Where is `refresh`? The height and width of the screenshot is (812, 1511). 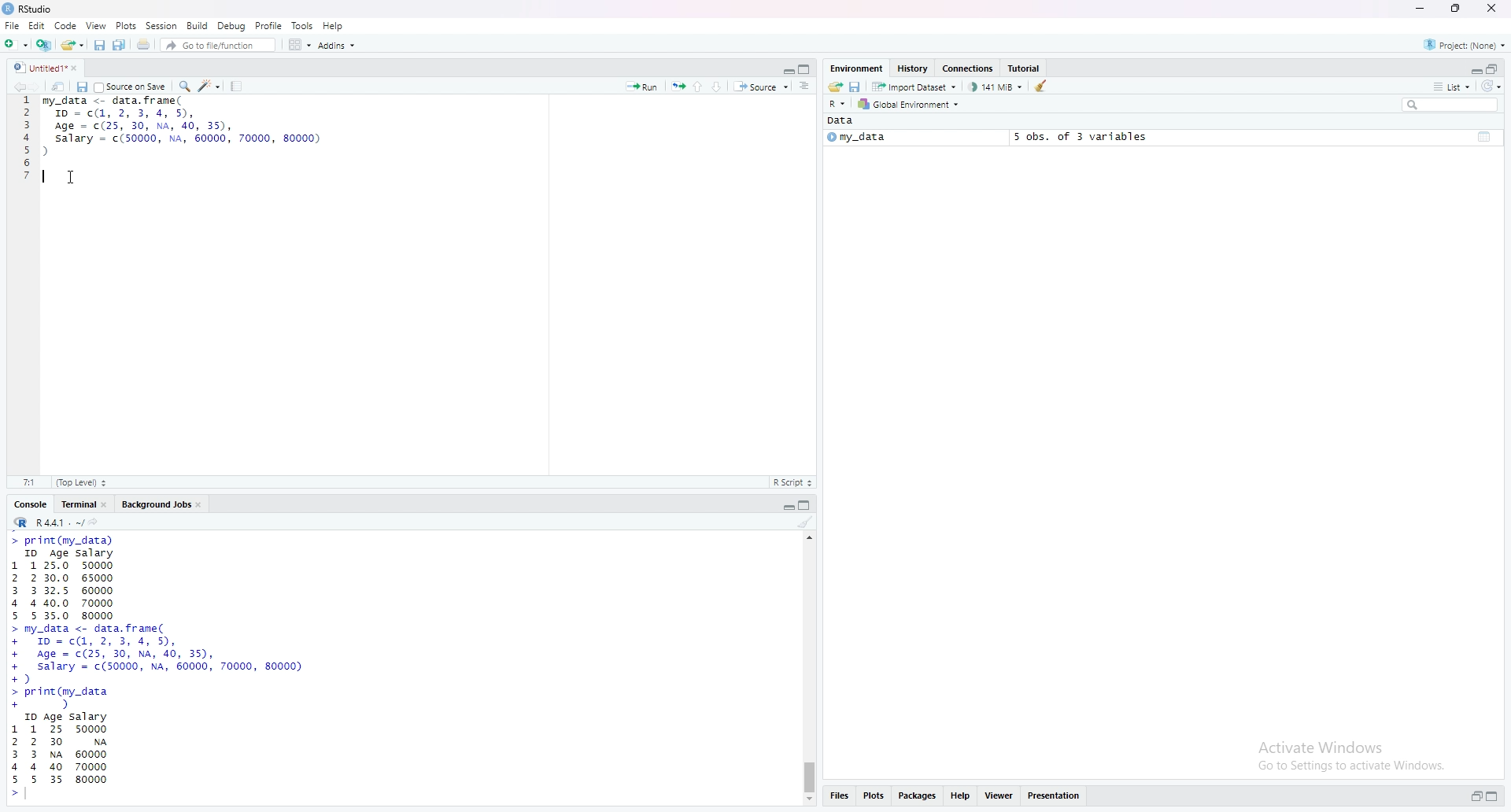 refresh is located at coordinates (1491, 87).